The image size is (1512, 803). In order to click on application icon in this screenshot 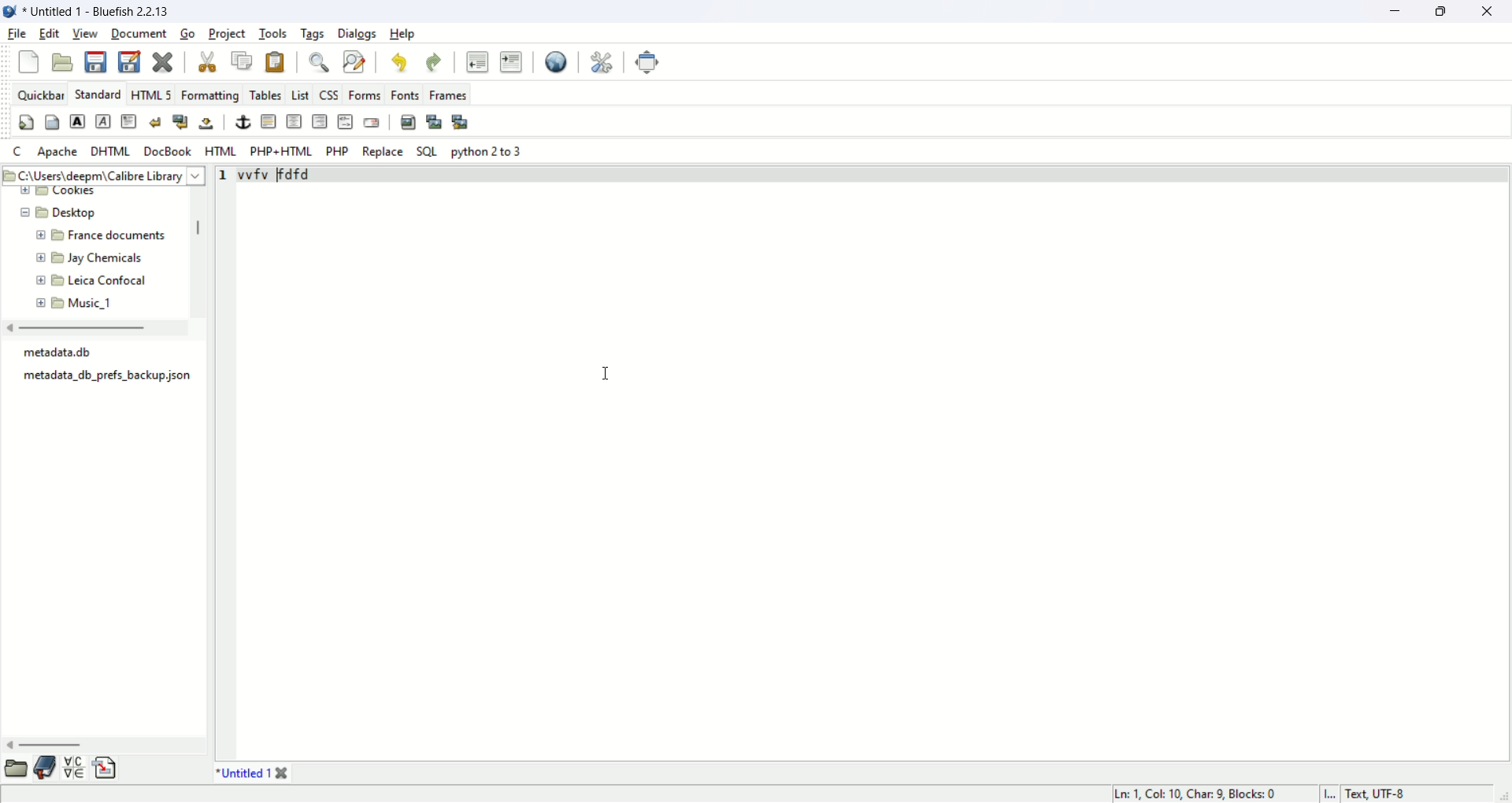, I will do `click(10, 11)`.